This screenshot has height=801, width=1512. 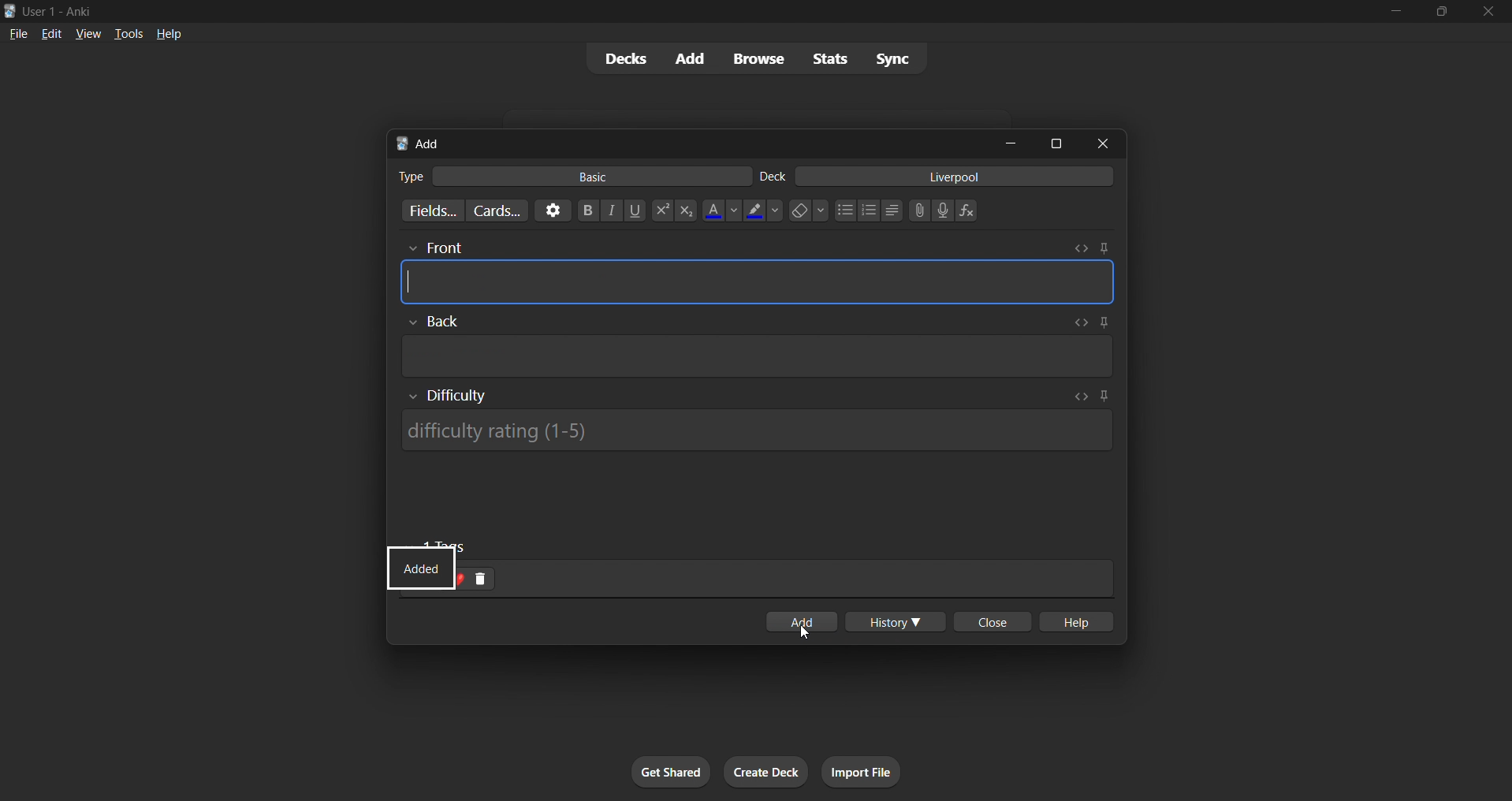 I want to click on numbered list, so click(x=870, y=212).